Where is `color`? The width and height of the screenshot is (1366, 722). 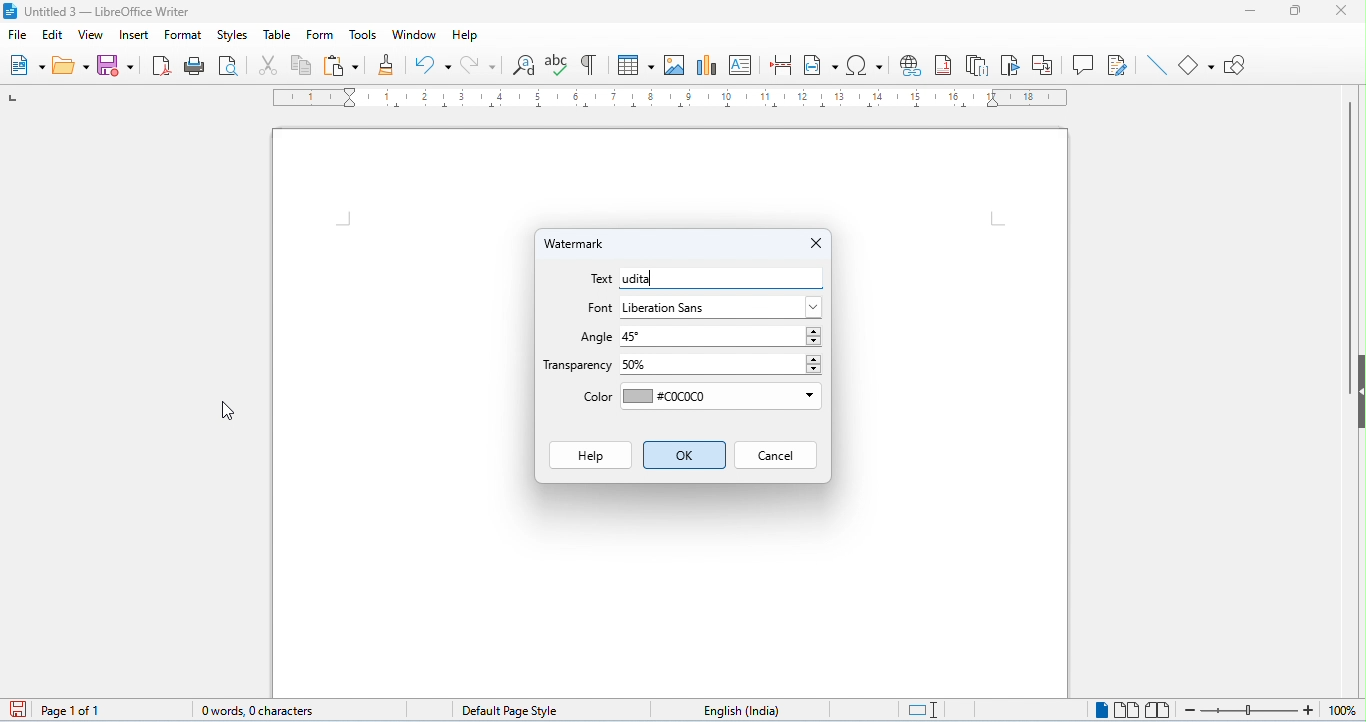
color is located at coordinates (594, 399).